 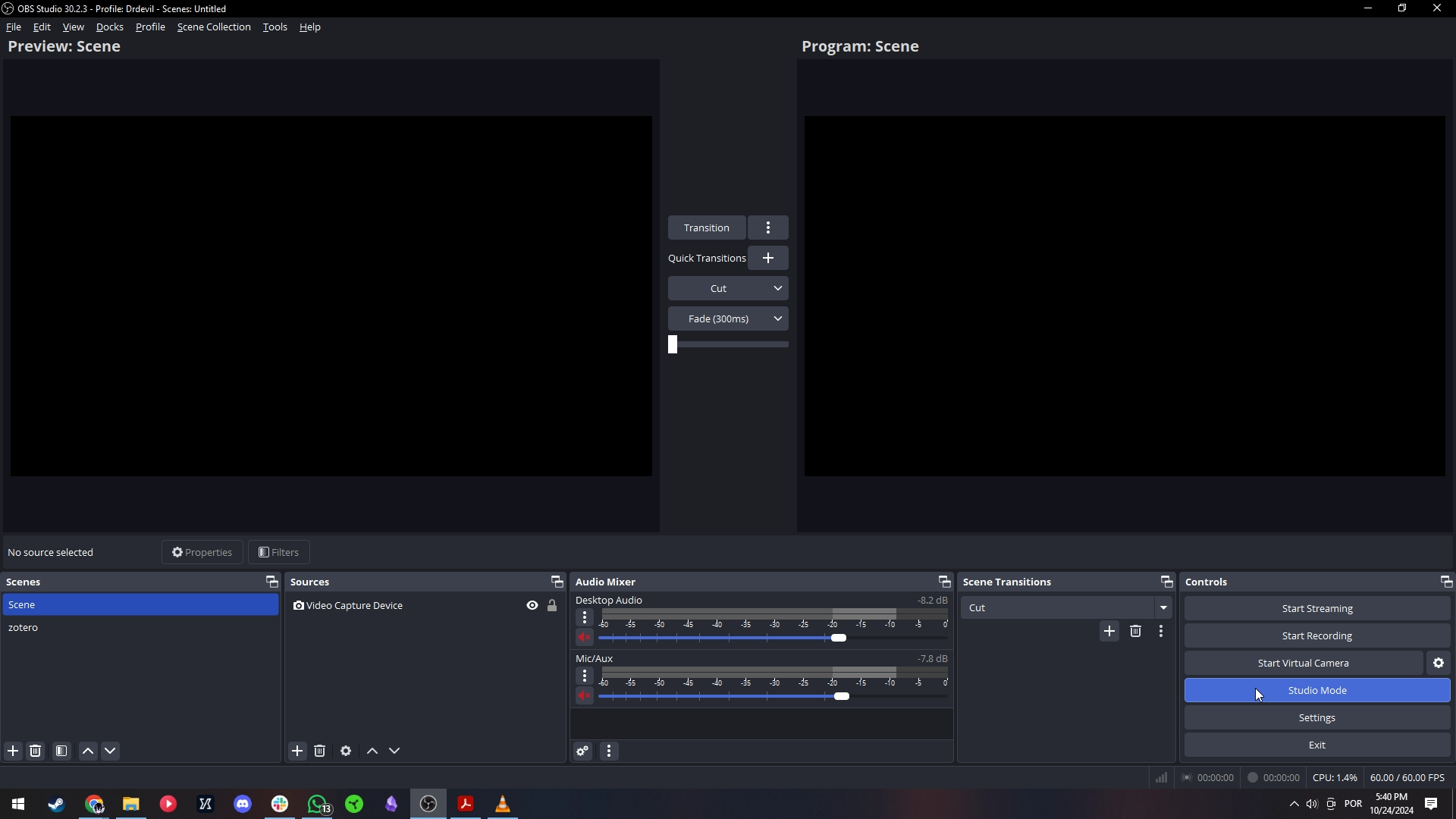 What do you see at coordinates (466, 805) in the screenshot?
I see `adobe reader` at bounding box center [466, 805].